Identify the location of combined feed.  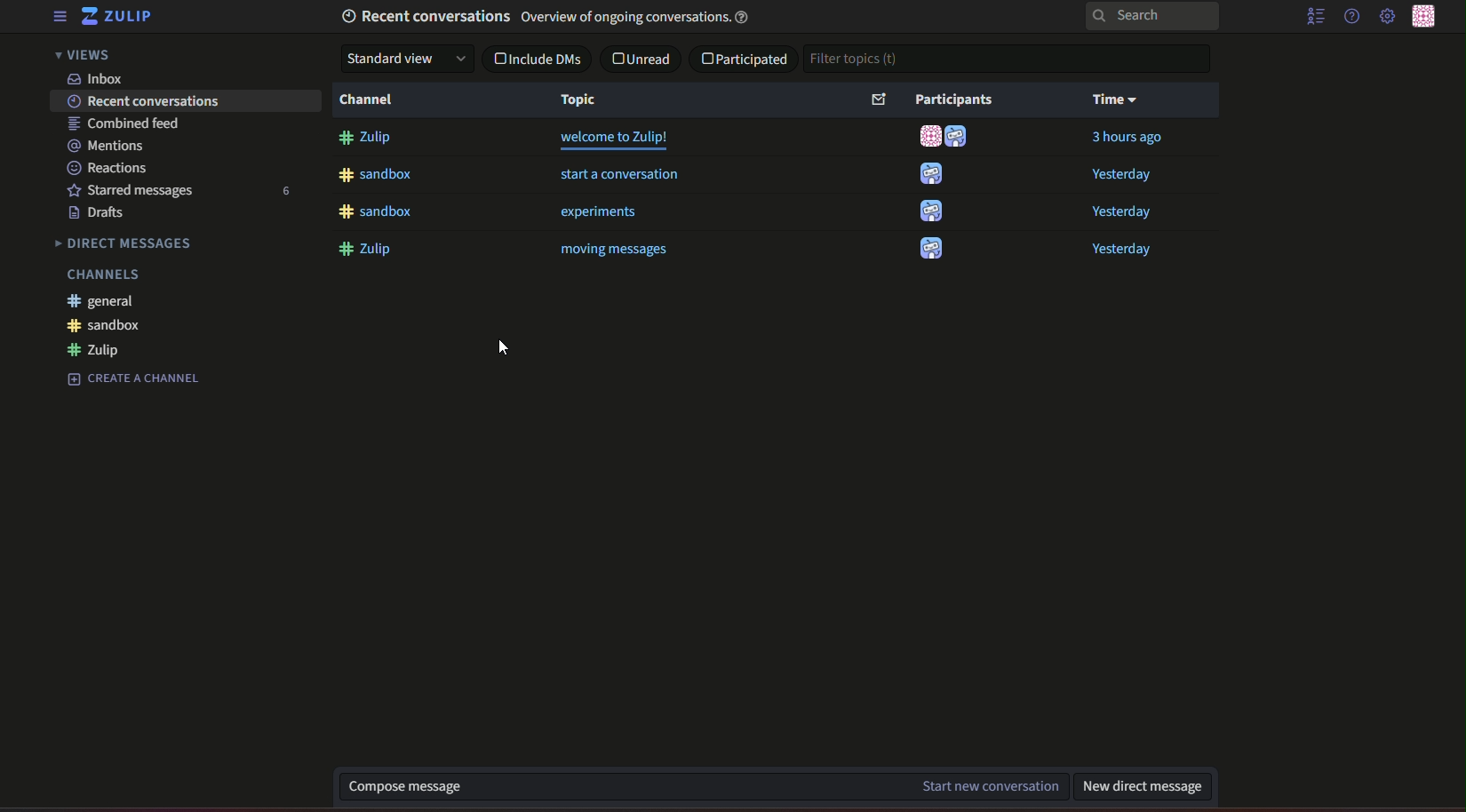
(121, 124).